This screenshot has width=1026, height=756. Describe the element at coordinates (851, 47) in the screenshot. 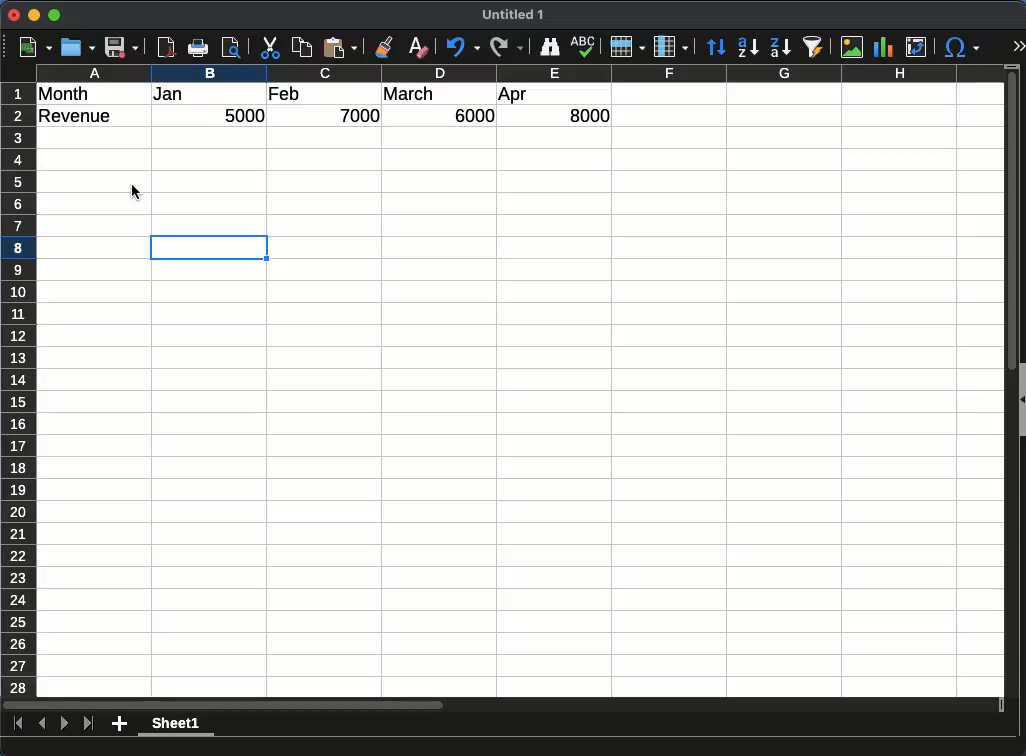

I see `image` at that location.